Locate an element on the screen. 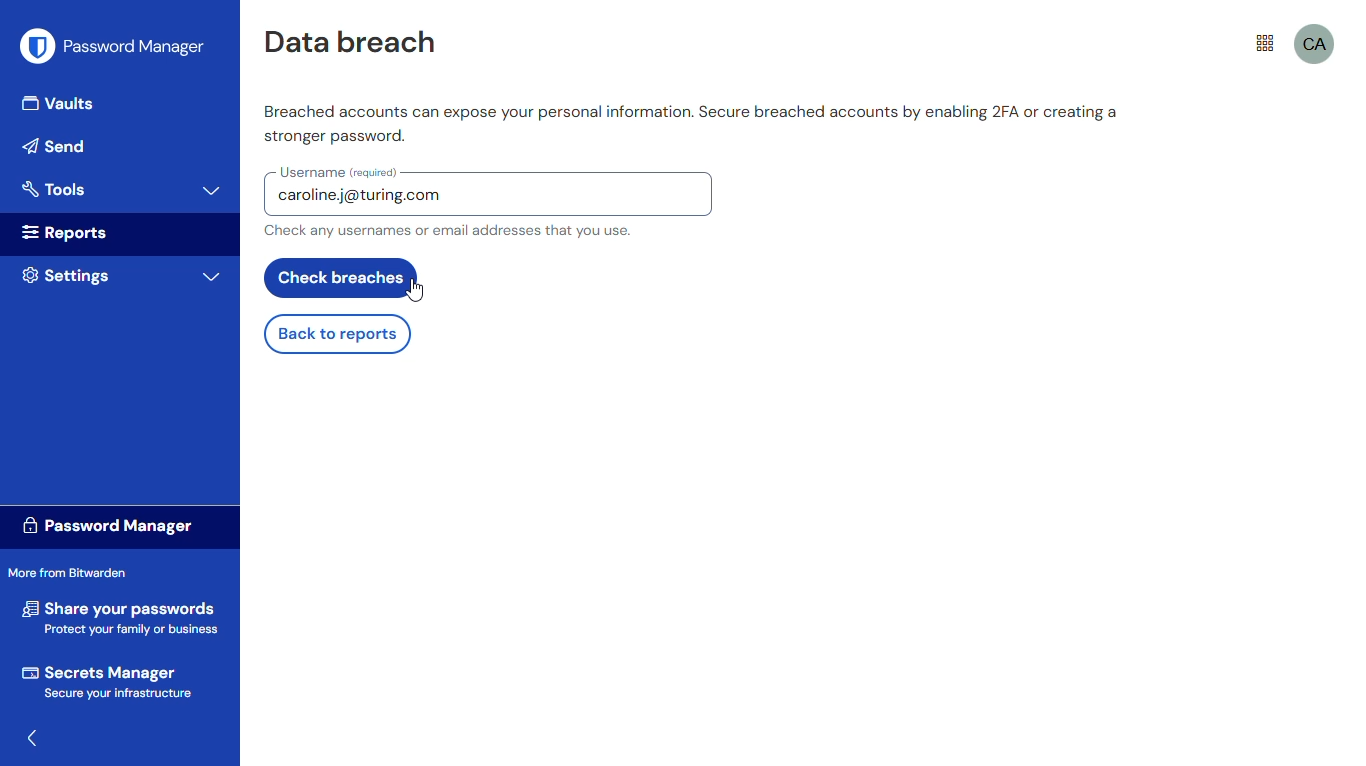 The width and height of the screenshot is (1366, 766). send is located at coordinates (56, 146).